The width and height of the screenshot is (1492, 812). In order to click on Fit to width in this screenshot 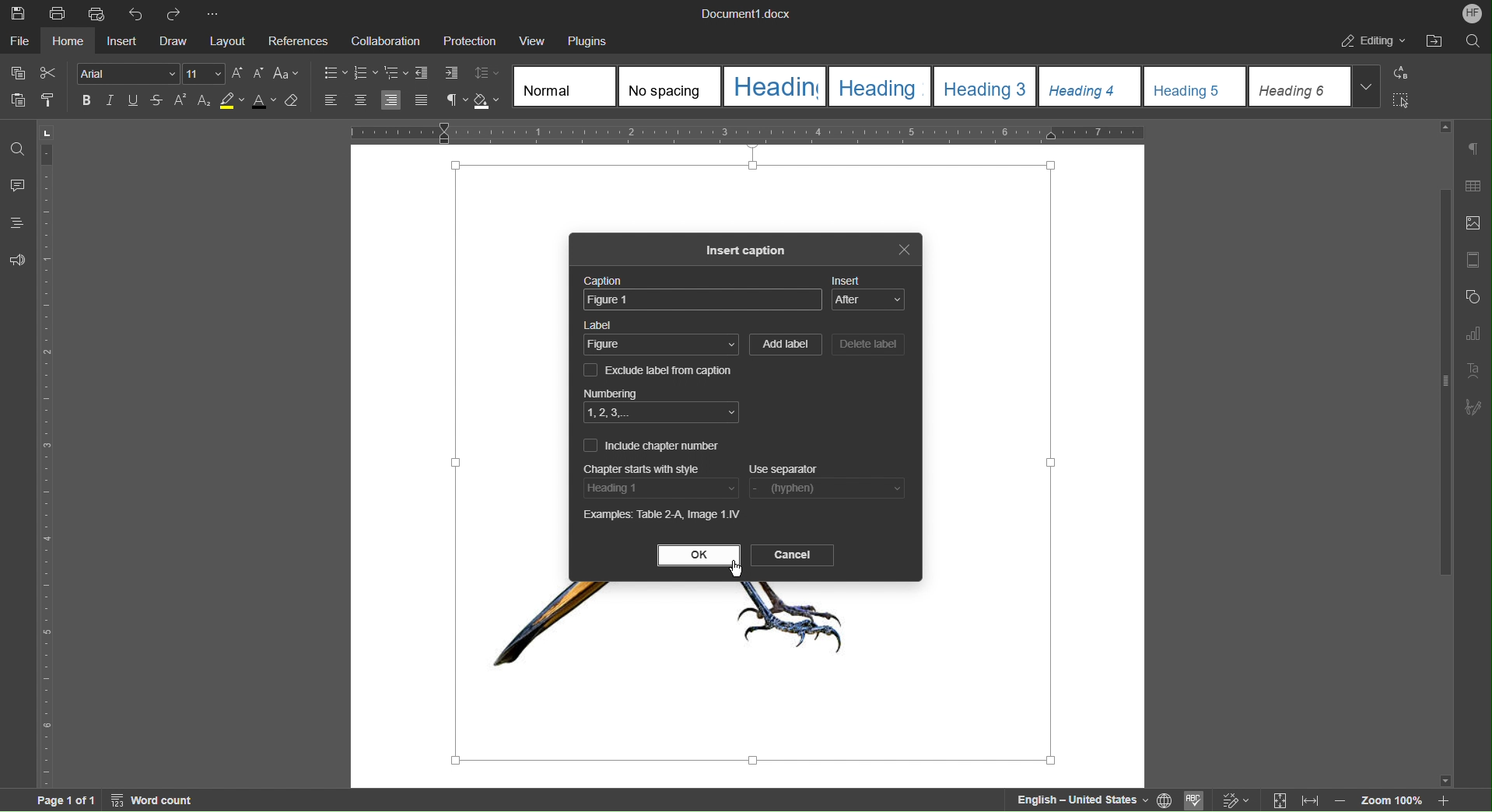, I will do `click(1308, 800)`.